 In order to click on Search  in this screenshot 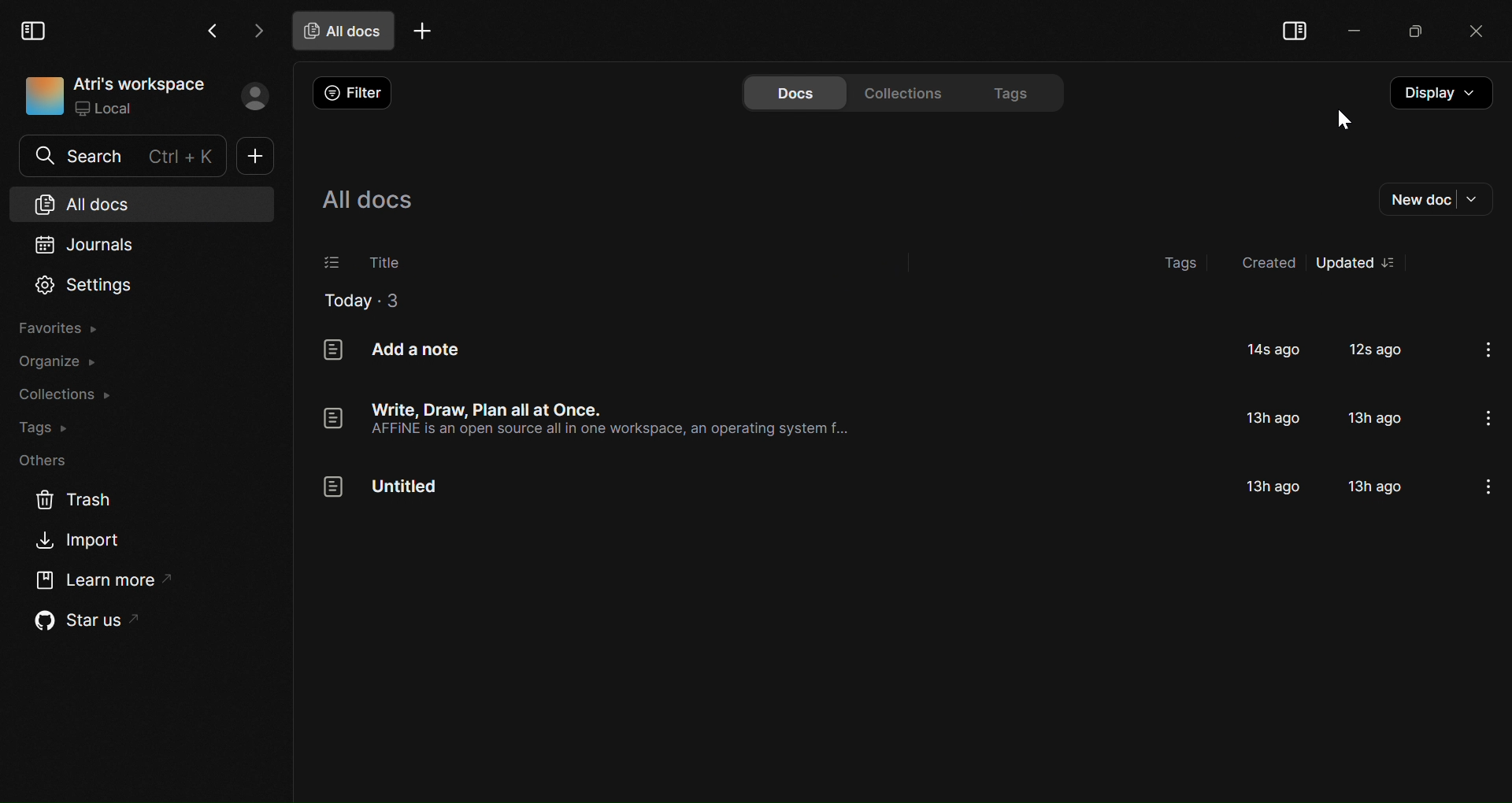, I will do `click(123, 156)`.